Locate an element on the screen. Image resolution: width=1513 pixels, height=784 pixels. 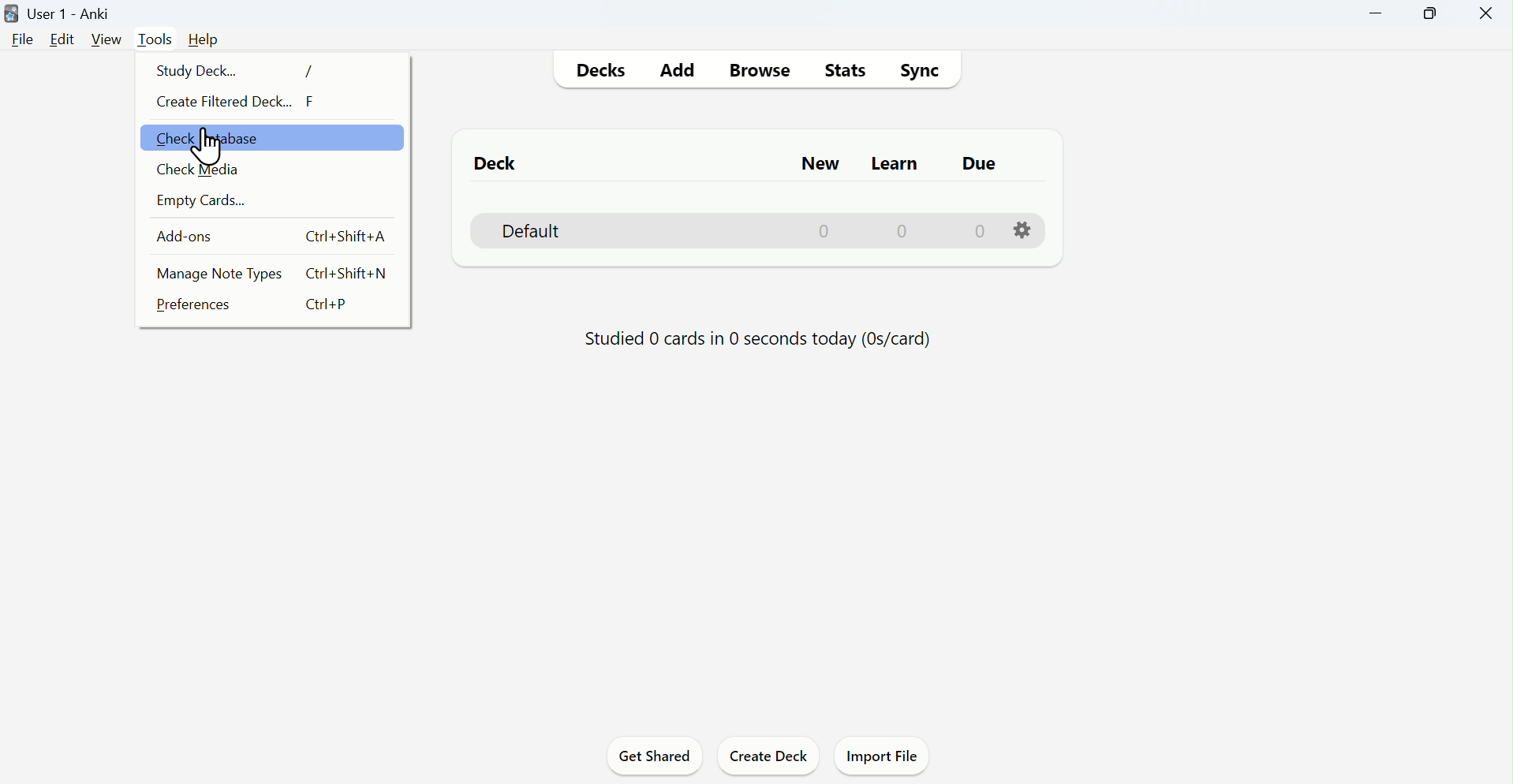
New is located at coordinates (827, 165).